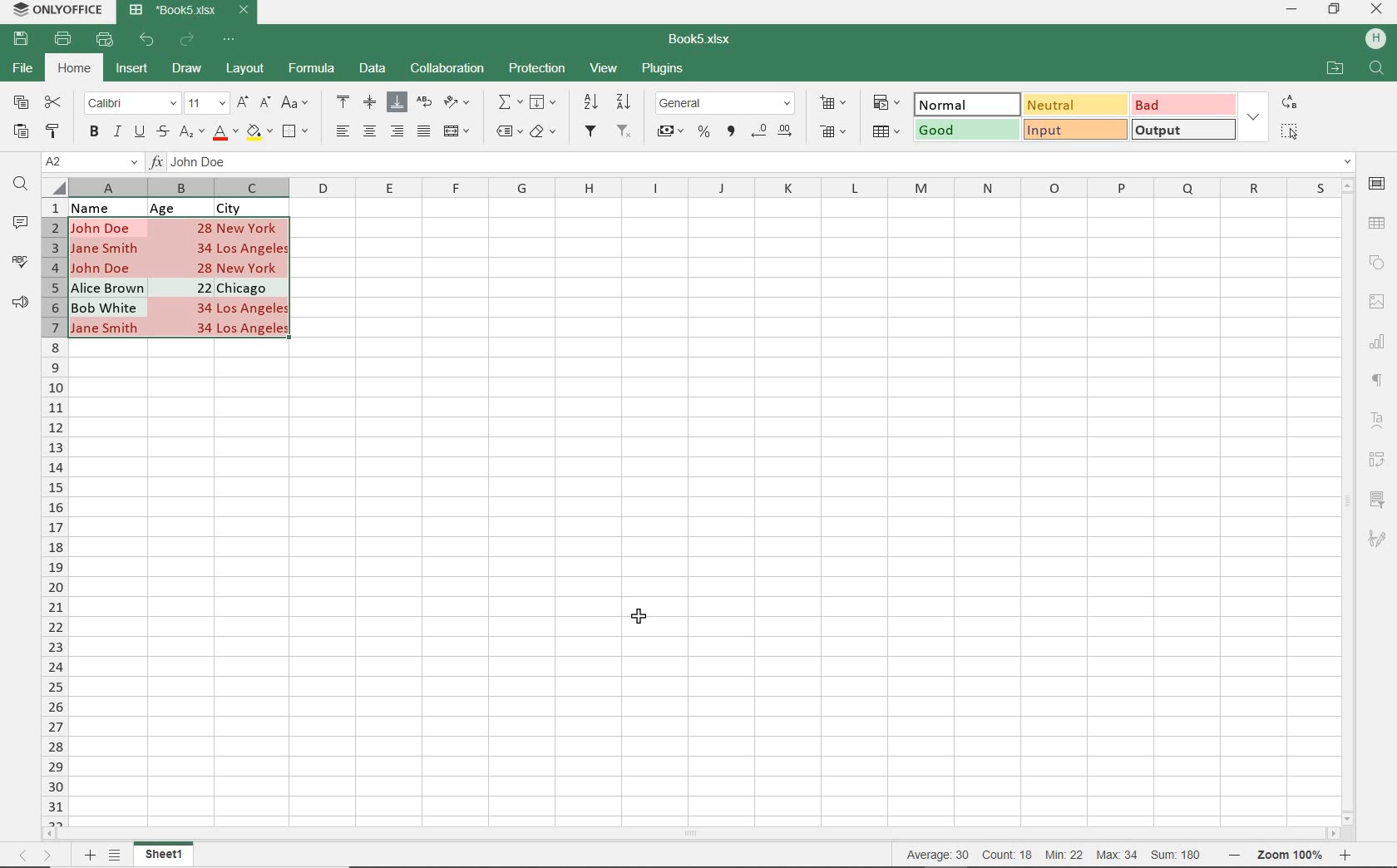  I want to click on ALIGN RIGHT, so click(397, 131).